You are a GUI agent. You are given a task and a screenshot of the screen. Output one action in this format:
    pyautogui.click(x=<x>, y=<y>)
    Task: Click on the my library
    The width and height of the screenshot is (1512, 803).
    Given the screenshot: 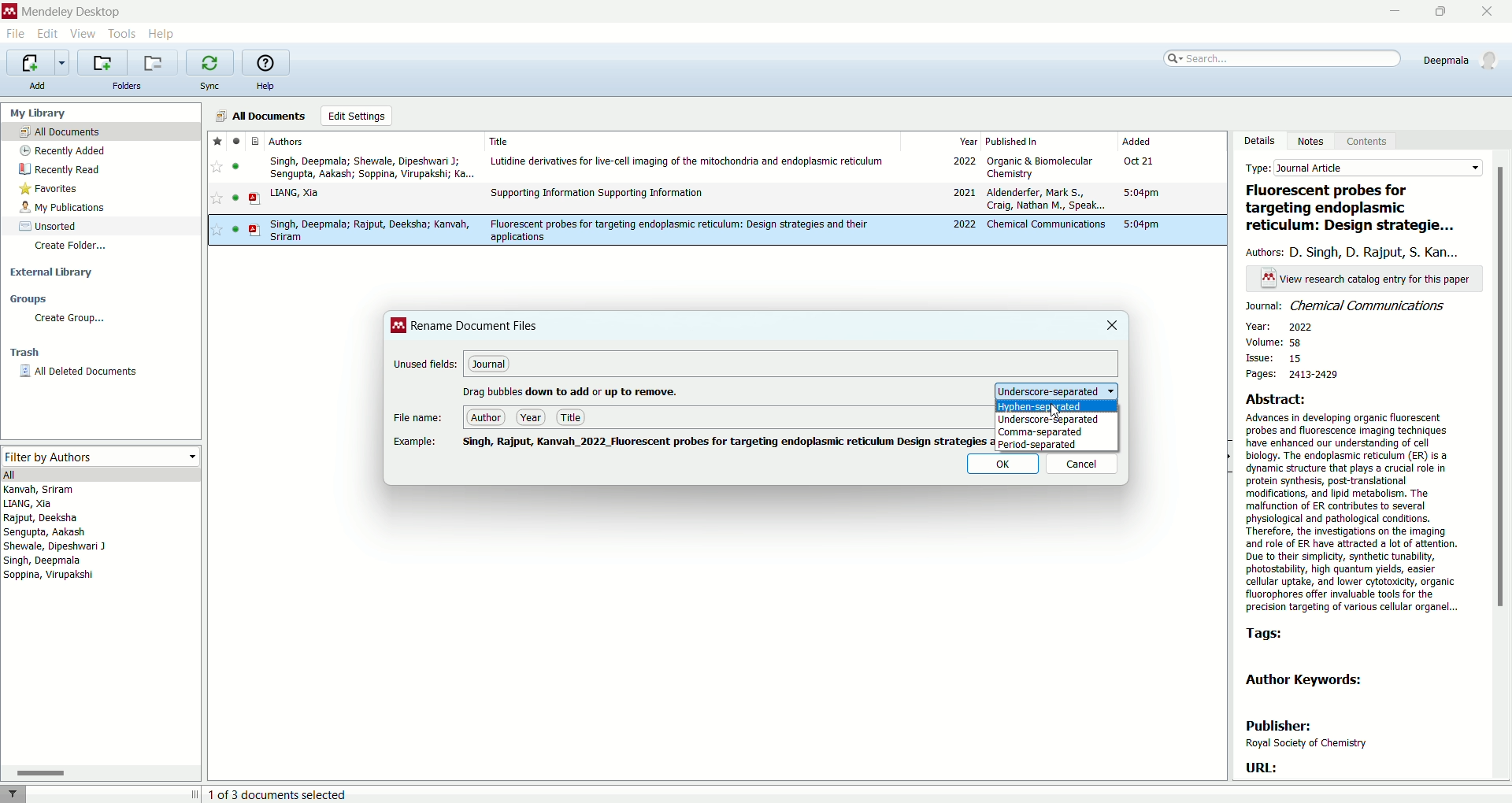 What is the action you would take?
    pyautogui.click(x=40, y=113)
    